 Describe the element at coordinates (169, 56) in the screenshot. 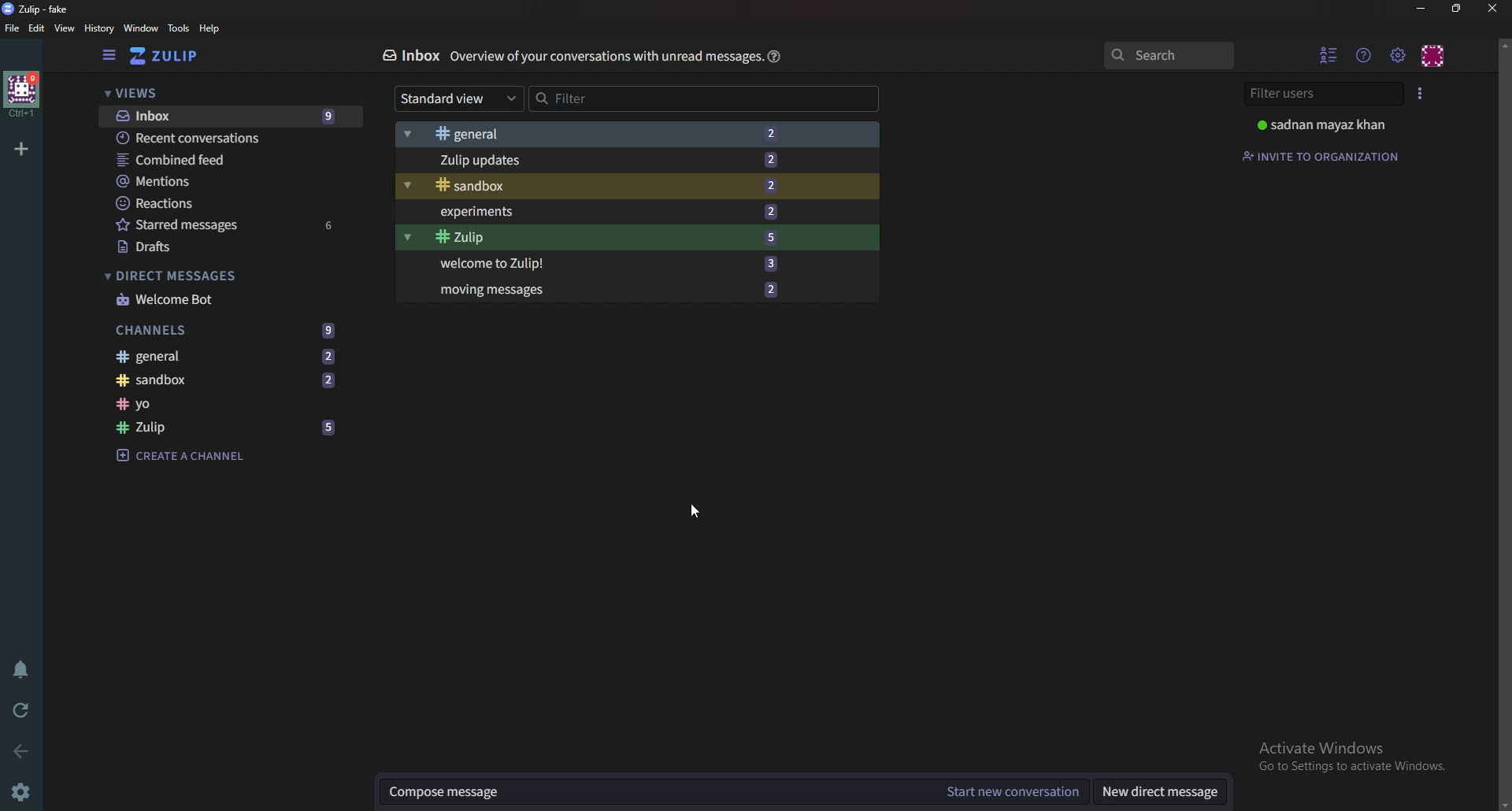

I see `Go to home view` at that location.